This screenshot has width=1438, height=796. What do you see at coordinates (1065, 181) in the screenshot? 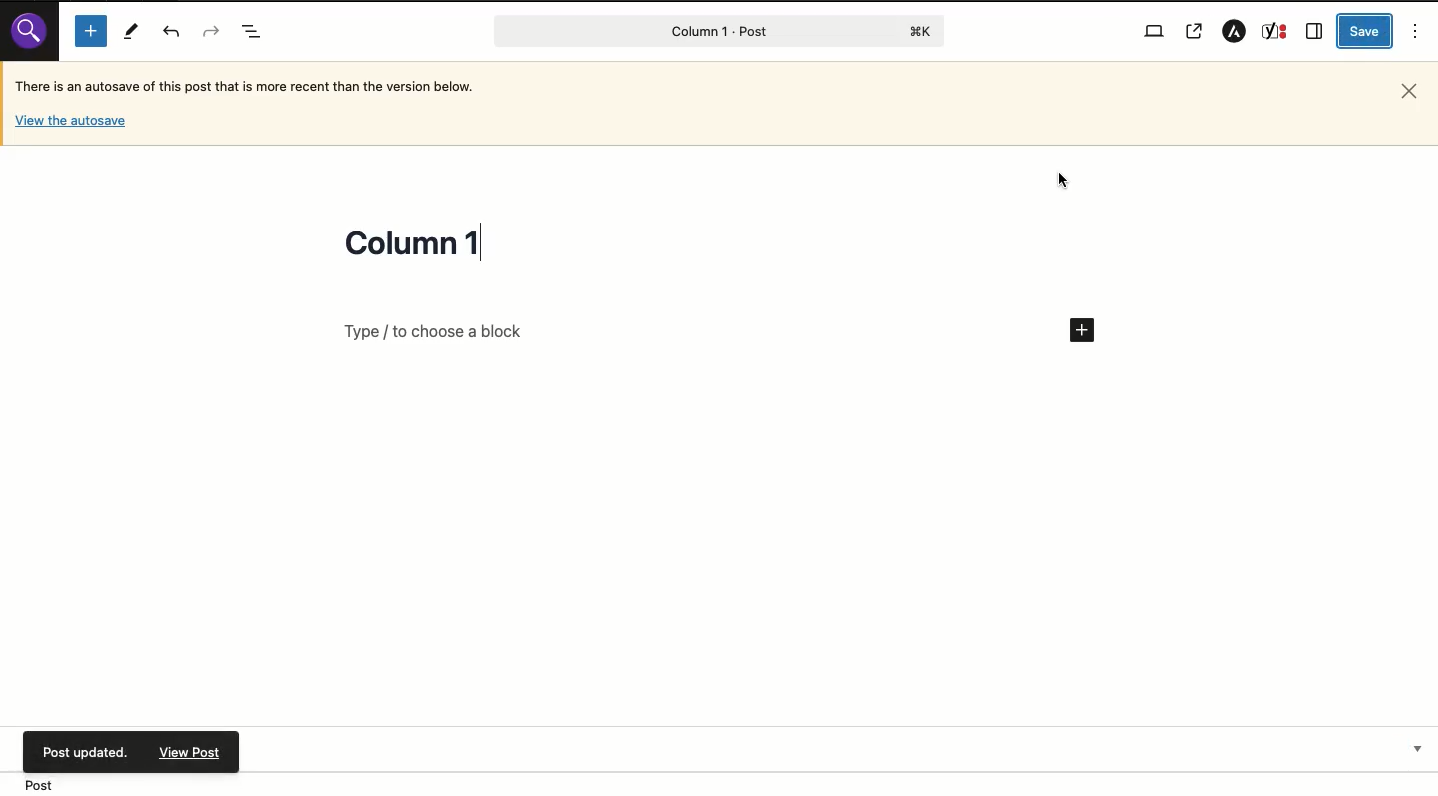
I see `Click` at bounding box center [1065, 181].